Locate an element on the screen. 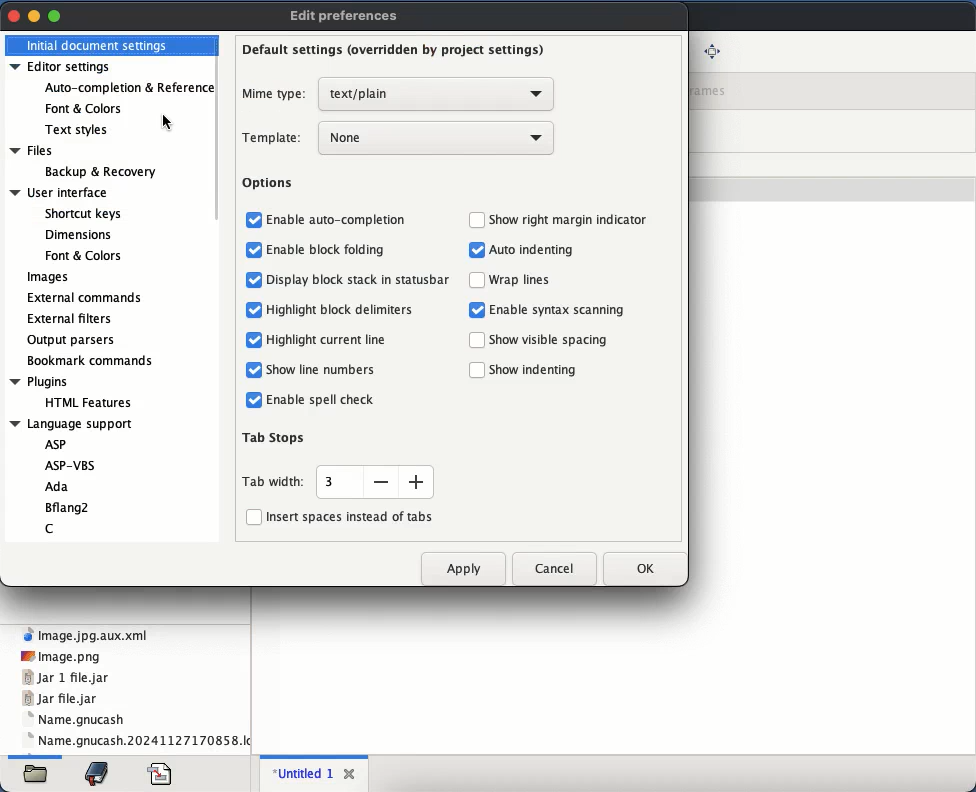  font and colors is located at coordinates (85, 110).